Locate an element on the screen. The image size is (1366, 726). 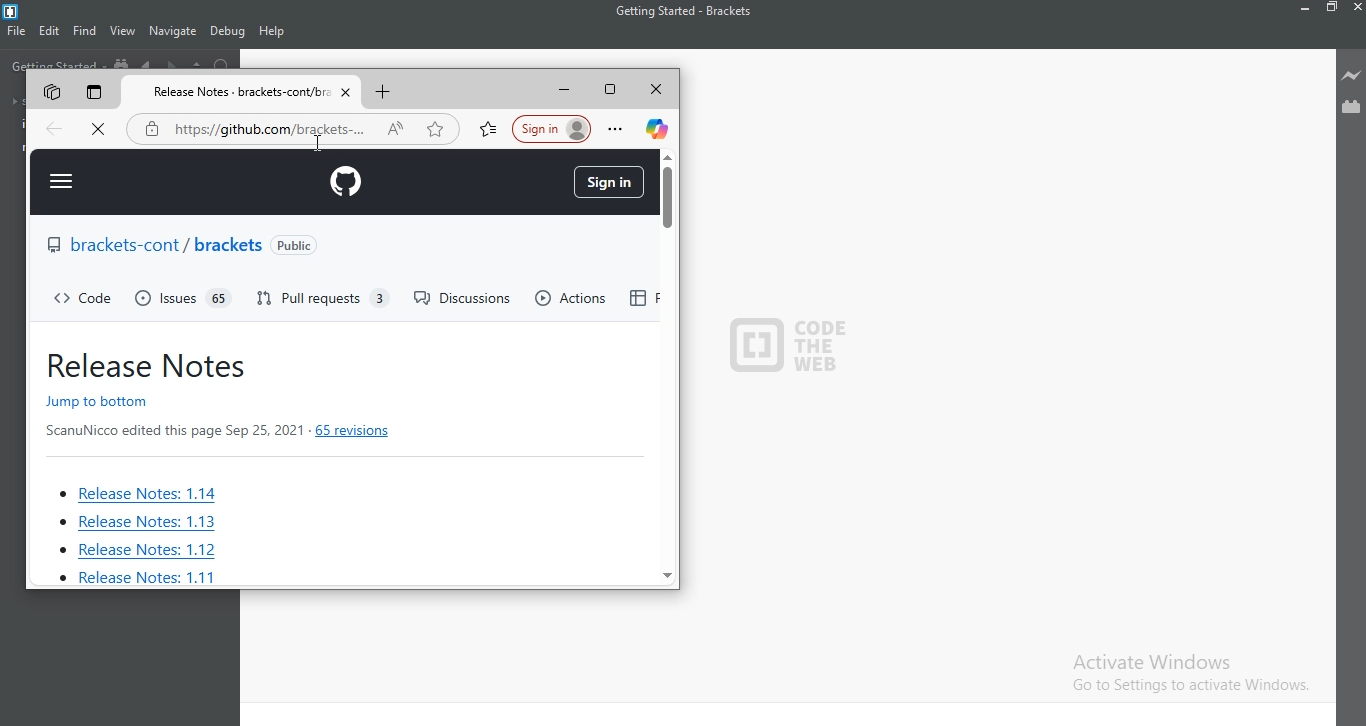
Extension Manager is located at coordinates (1353, 111).